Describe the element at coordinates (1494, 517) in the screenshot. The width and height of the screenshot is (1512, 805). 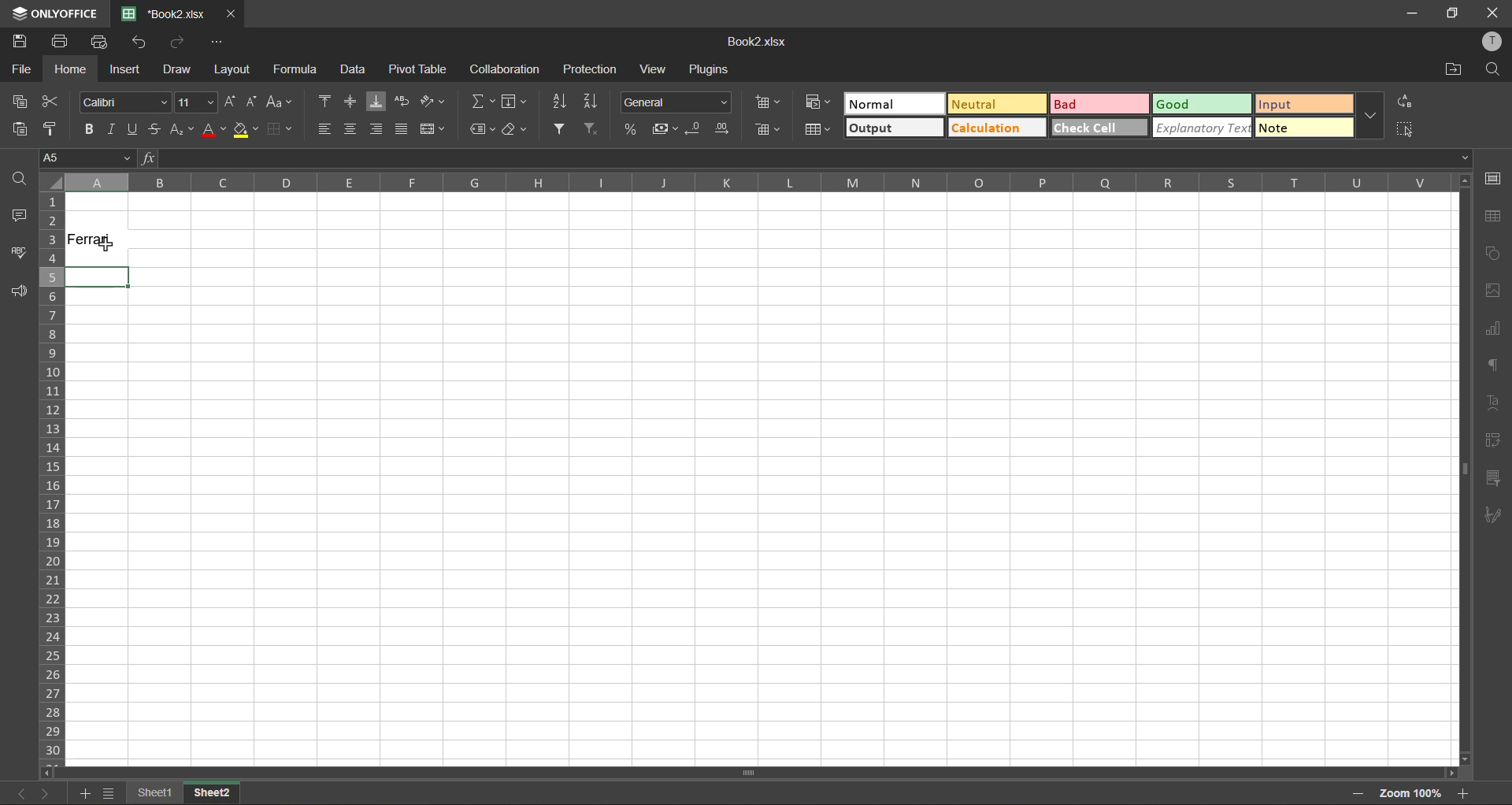
I see `signature` at that location.